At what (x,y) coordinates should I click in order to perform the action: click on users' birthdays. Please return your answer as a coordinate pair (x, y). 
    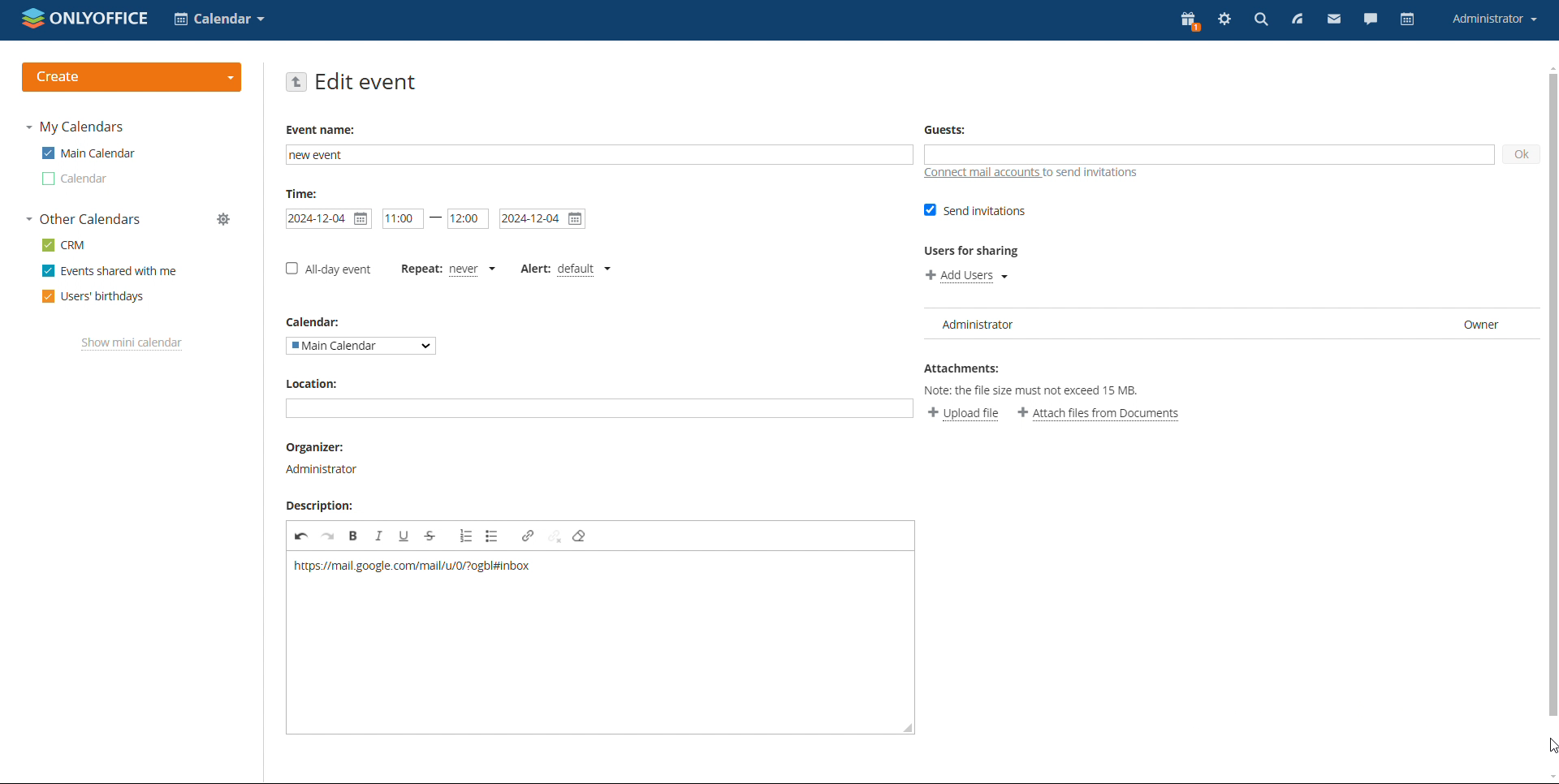
    Looking at the image, I should click on (92, 296).